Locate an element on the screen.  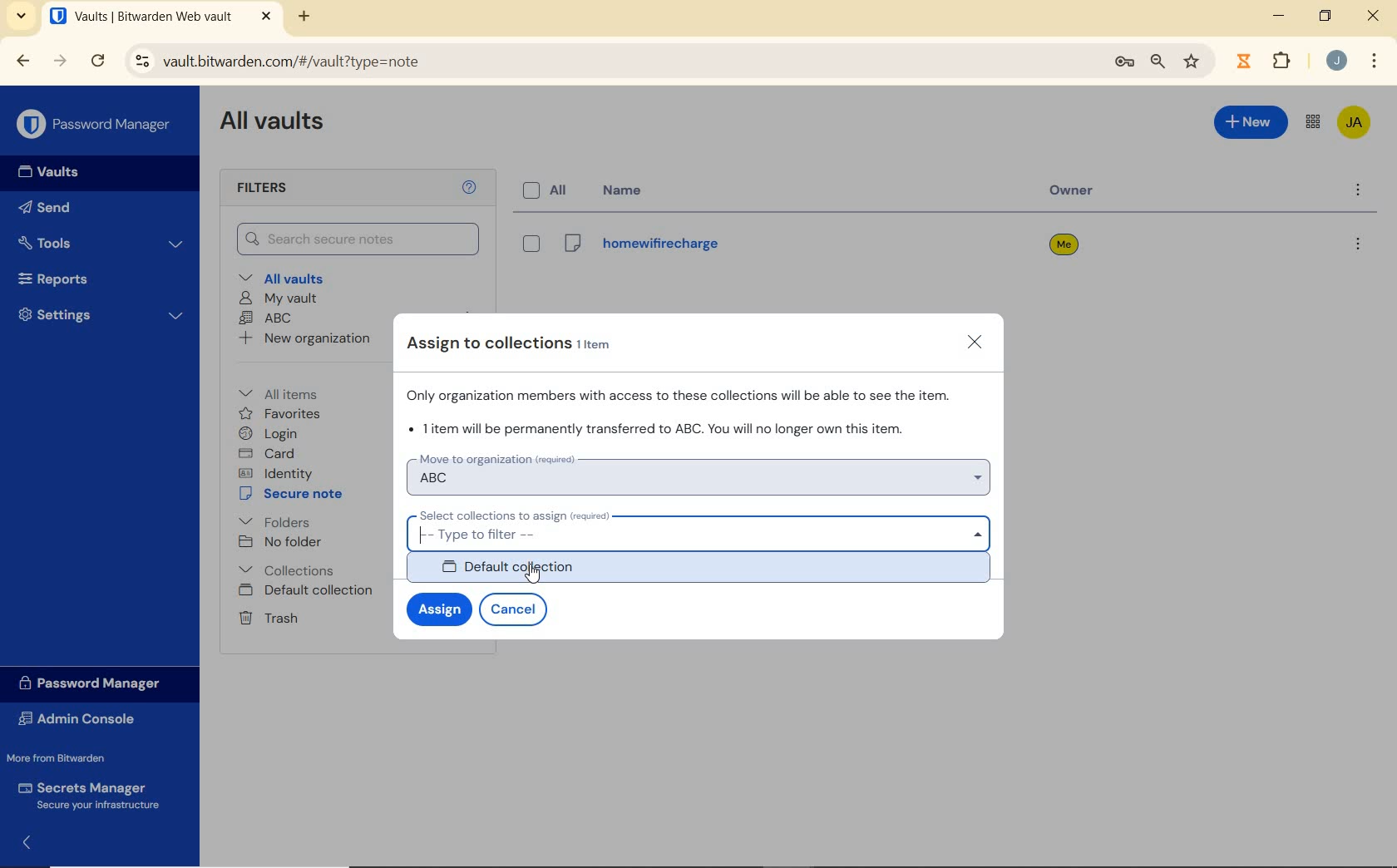
owner is located at coordinates (1064, 246).